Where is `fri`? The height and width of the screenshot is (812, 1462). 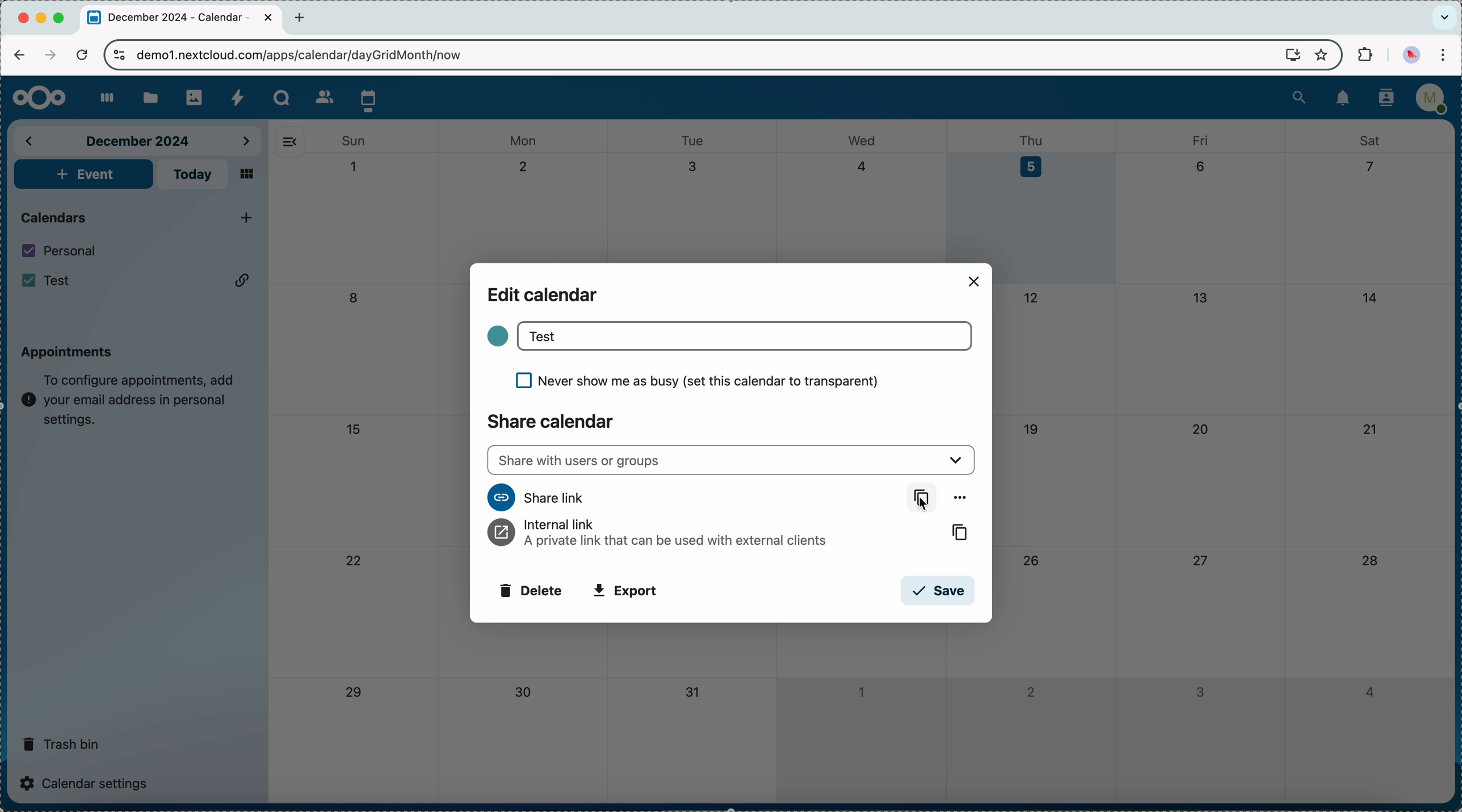
fri is located at coordinates (1199, 140).